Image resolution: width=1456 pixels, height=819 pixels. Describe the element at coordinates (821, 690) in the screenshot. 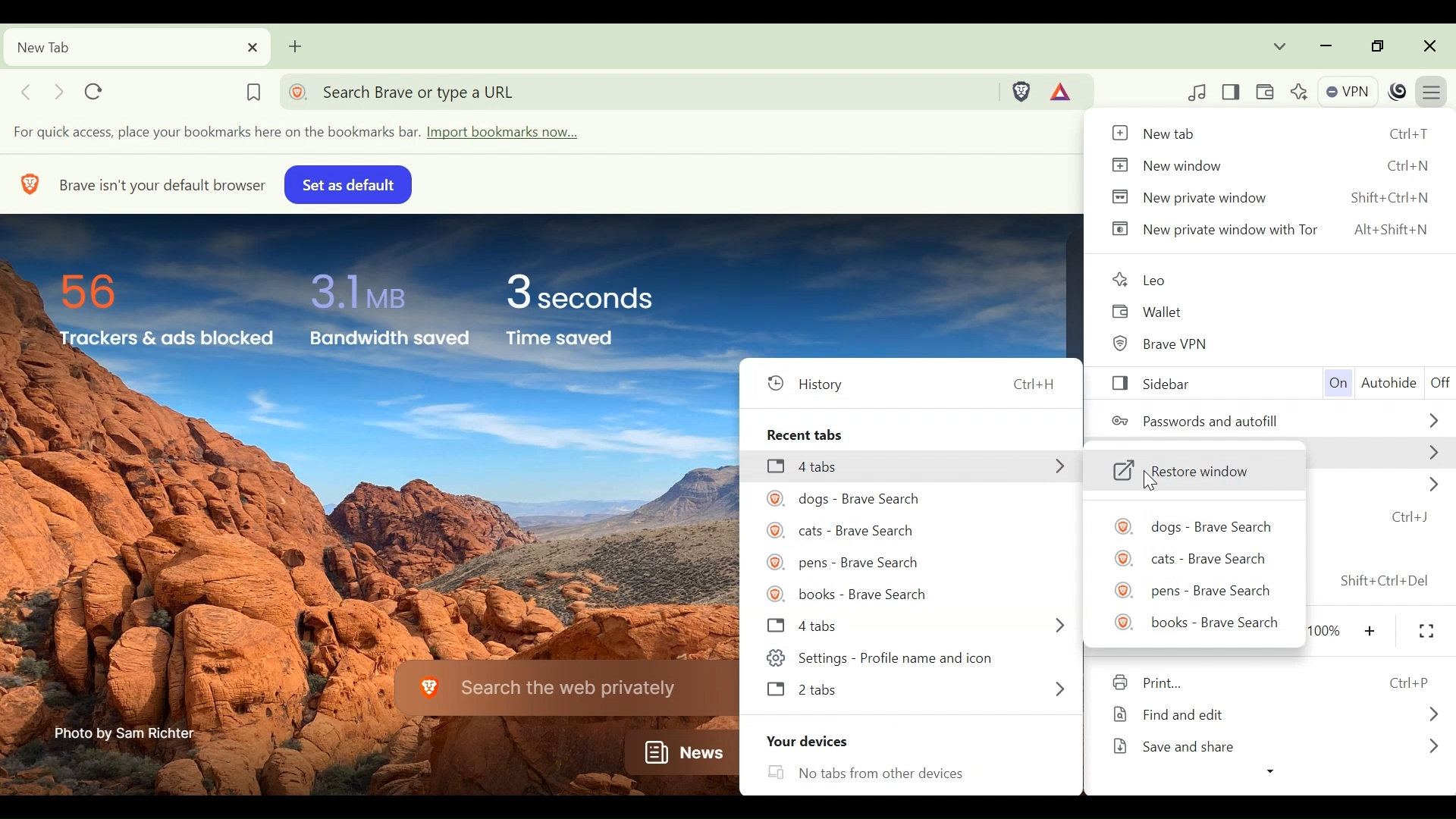

I see `2tabs` at that location.